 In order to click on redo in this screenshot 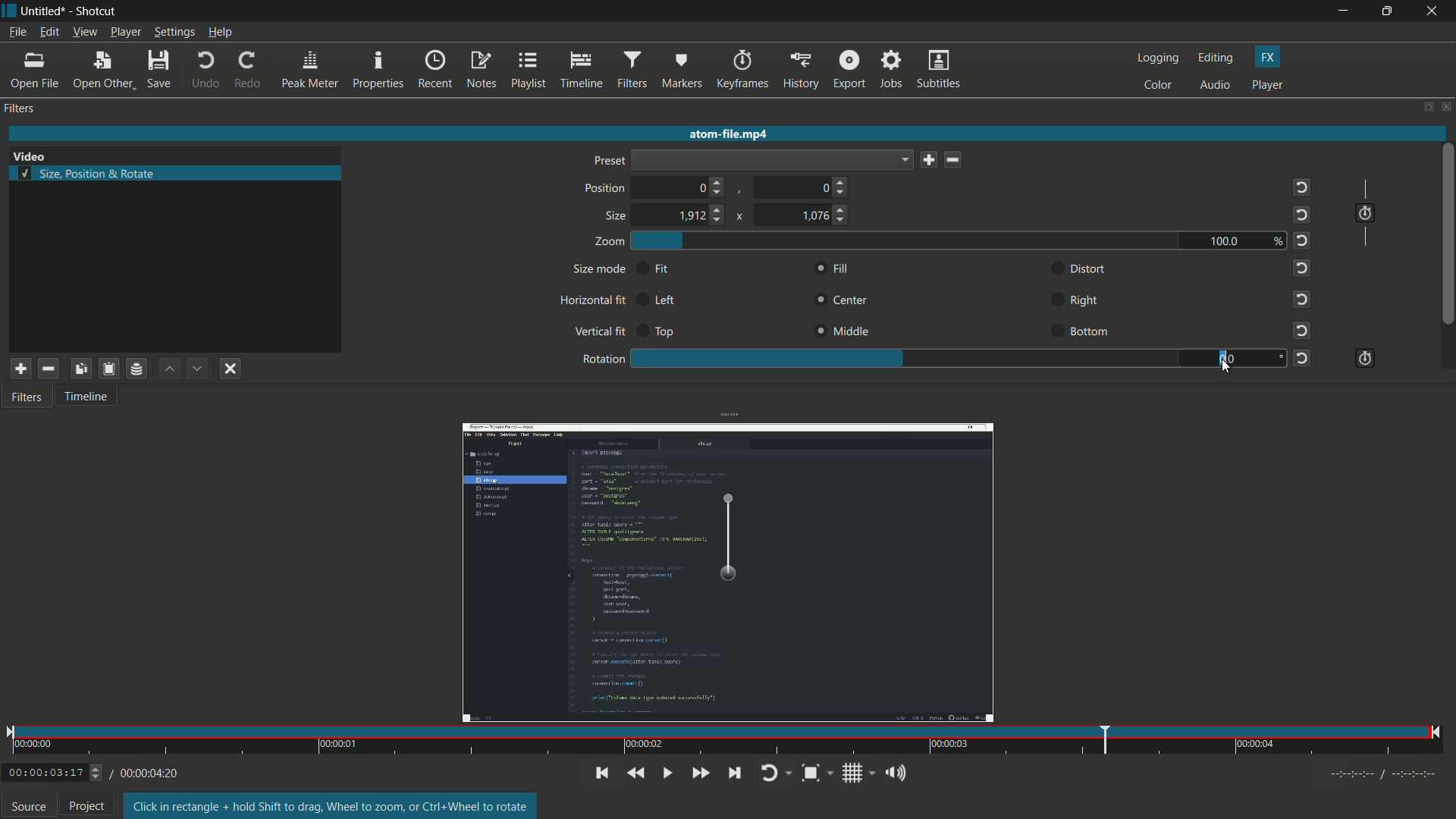, I will do `click(248, 71)`.